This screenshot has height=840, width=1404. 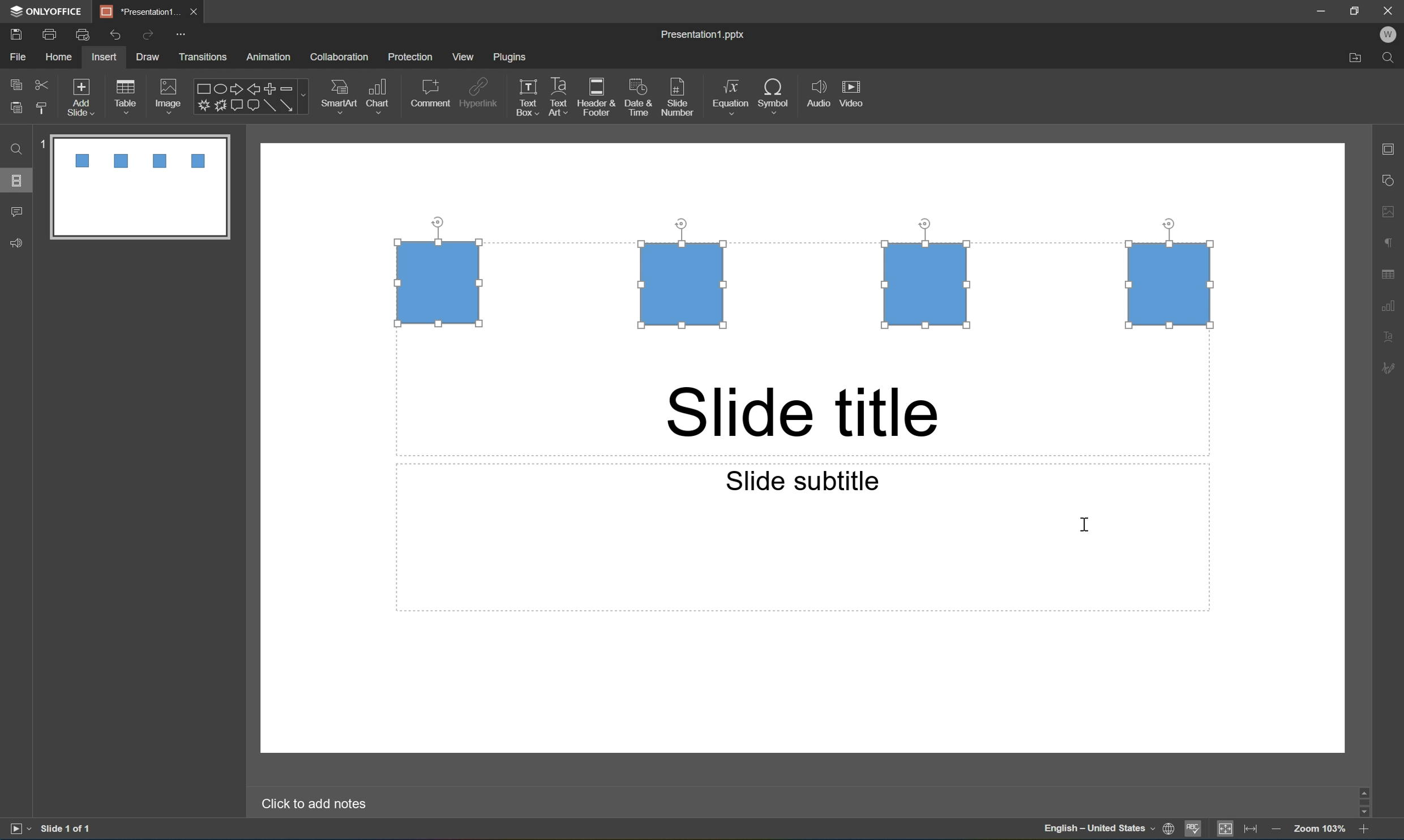 I want to click on print, so click(x=48, y=33).